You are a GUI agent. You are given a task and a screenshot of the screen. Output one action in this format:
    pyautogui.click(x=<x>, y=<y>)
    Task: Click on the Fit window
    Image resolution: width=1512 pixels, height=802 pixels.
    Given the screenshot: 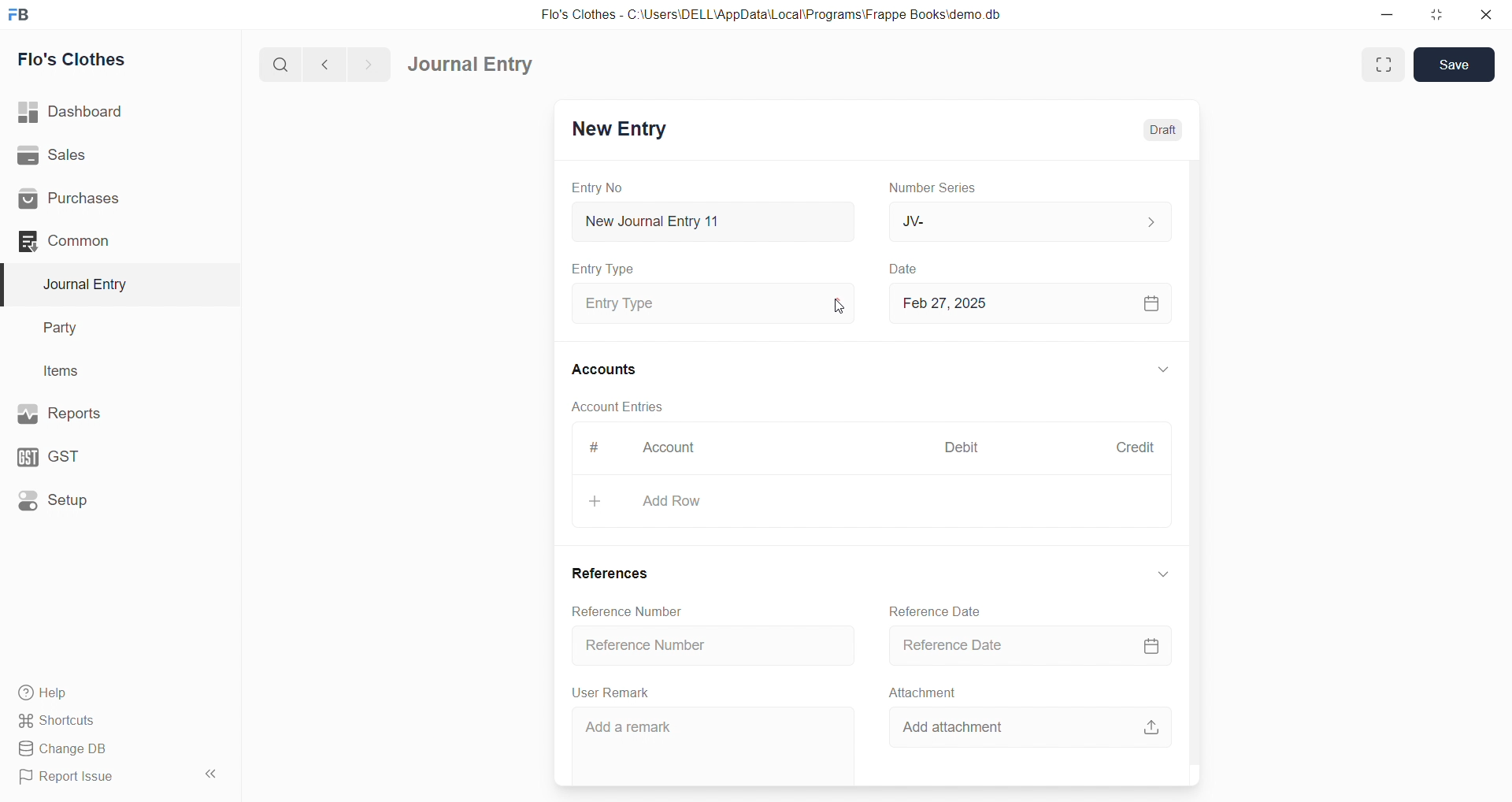 What is the action you would take?
    pyautogui.click(x=1381, y=65)
    